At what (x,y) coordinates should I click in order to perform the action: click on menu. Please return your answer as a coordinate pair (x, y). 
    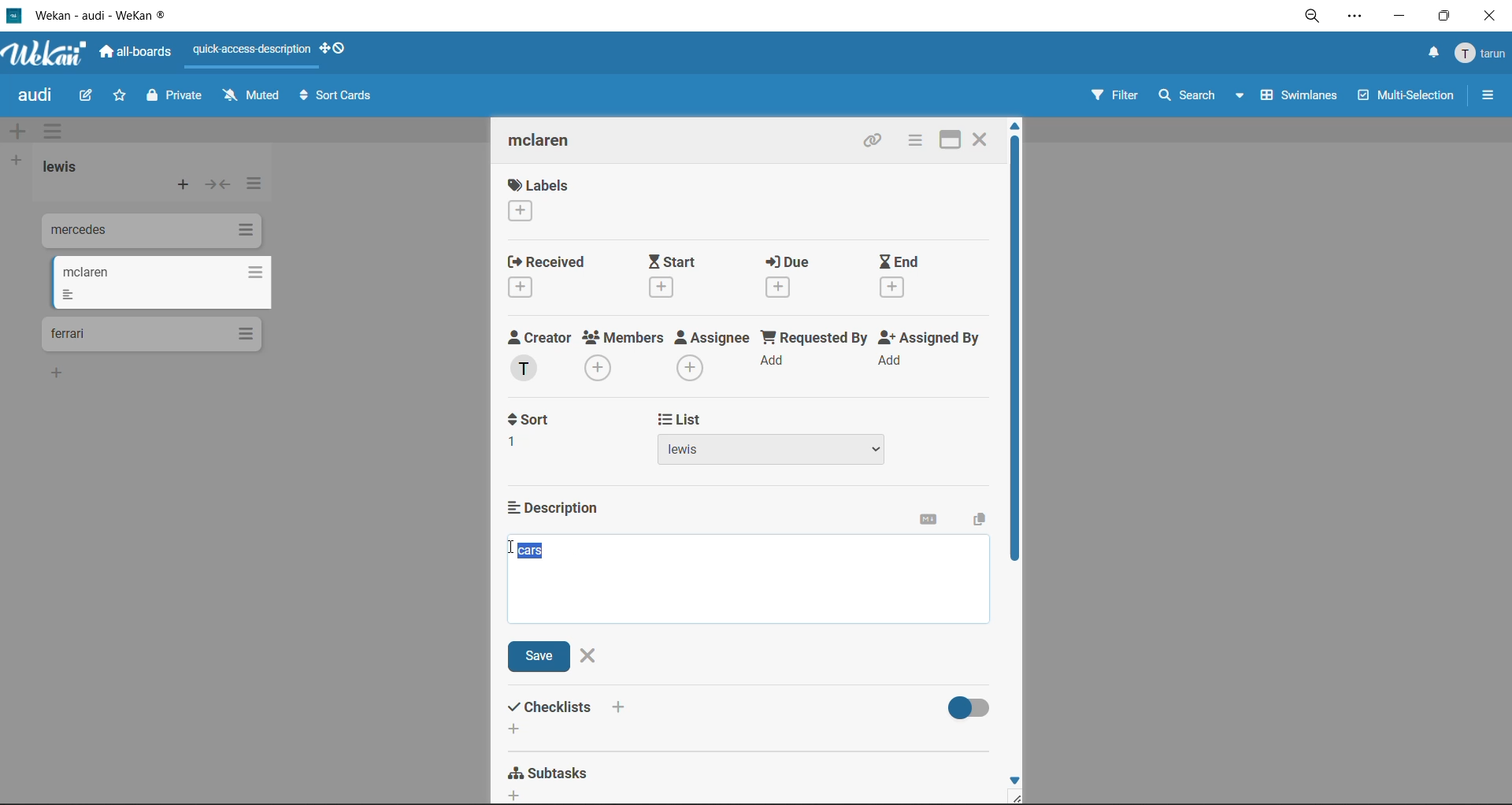
    Looking at the image, I should click on (1482, 54).